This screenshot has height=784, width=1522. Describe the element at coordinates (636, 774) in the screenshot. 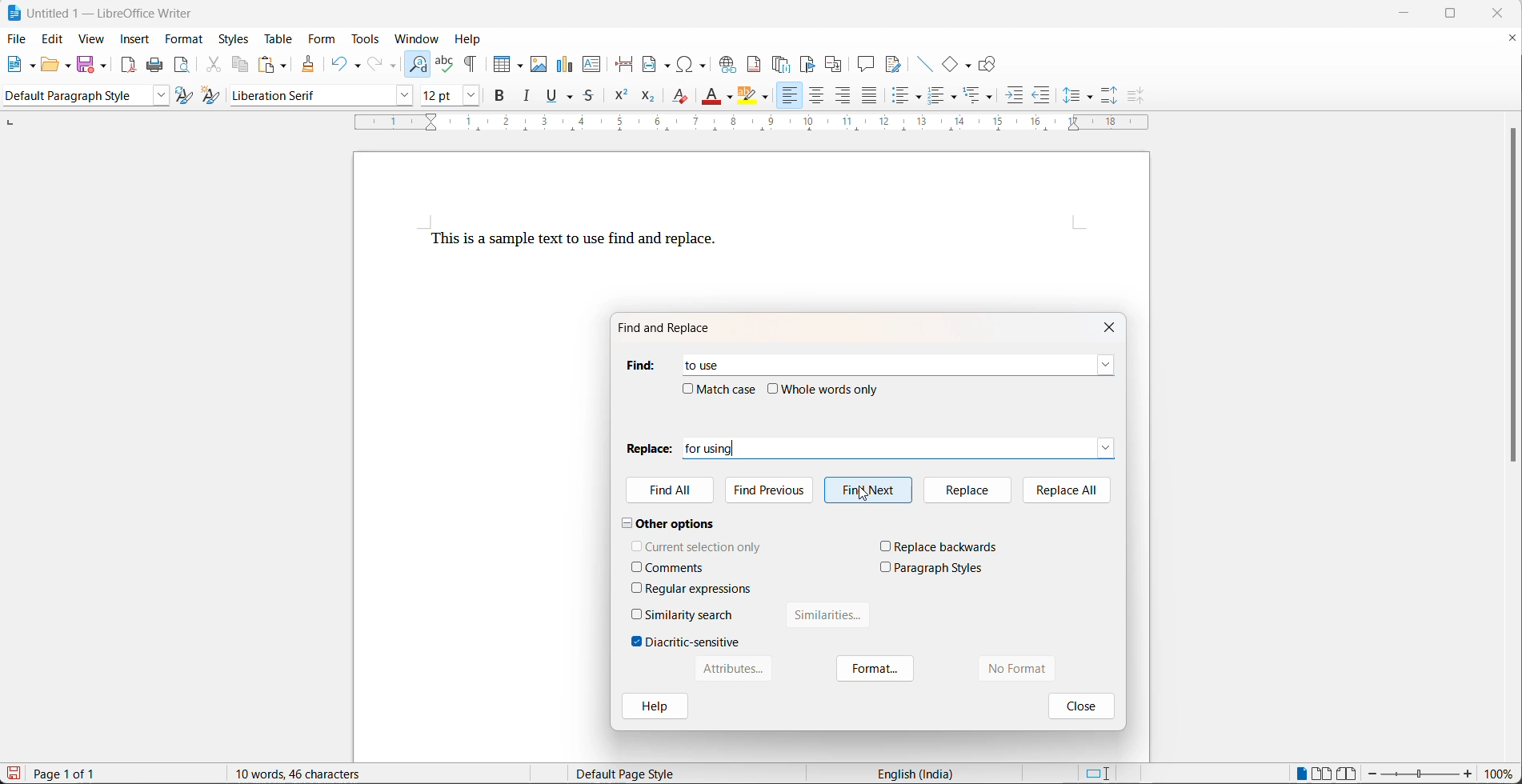

I see `Default page style` at that location.